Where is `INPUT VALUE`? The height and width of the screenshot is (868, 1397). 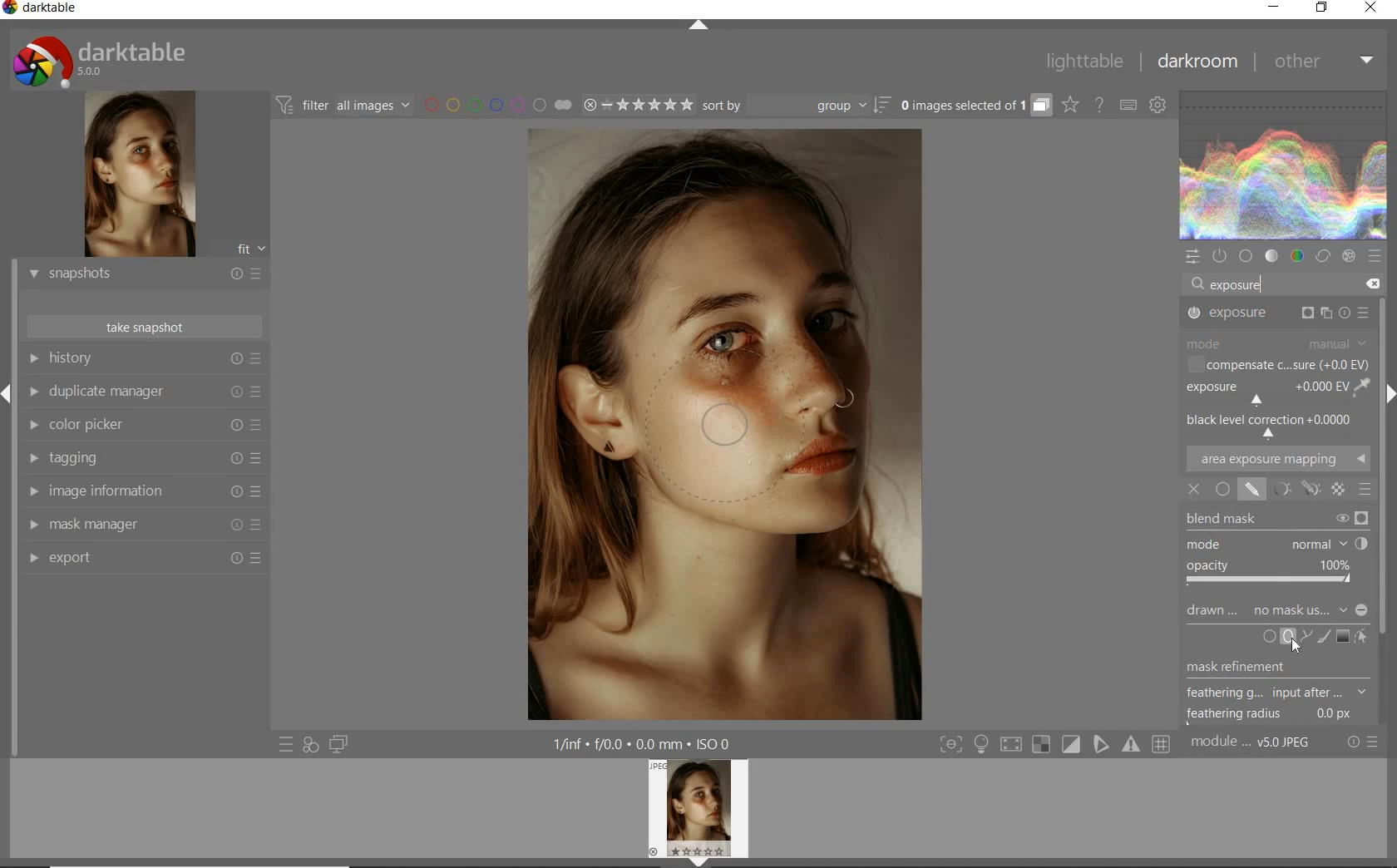 INPUT VALUE is located at coordinates (1244, 284).